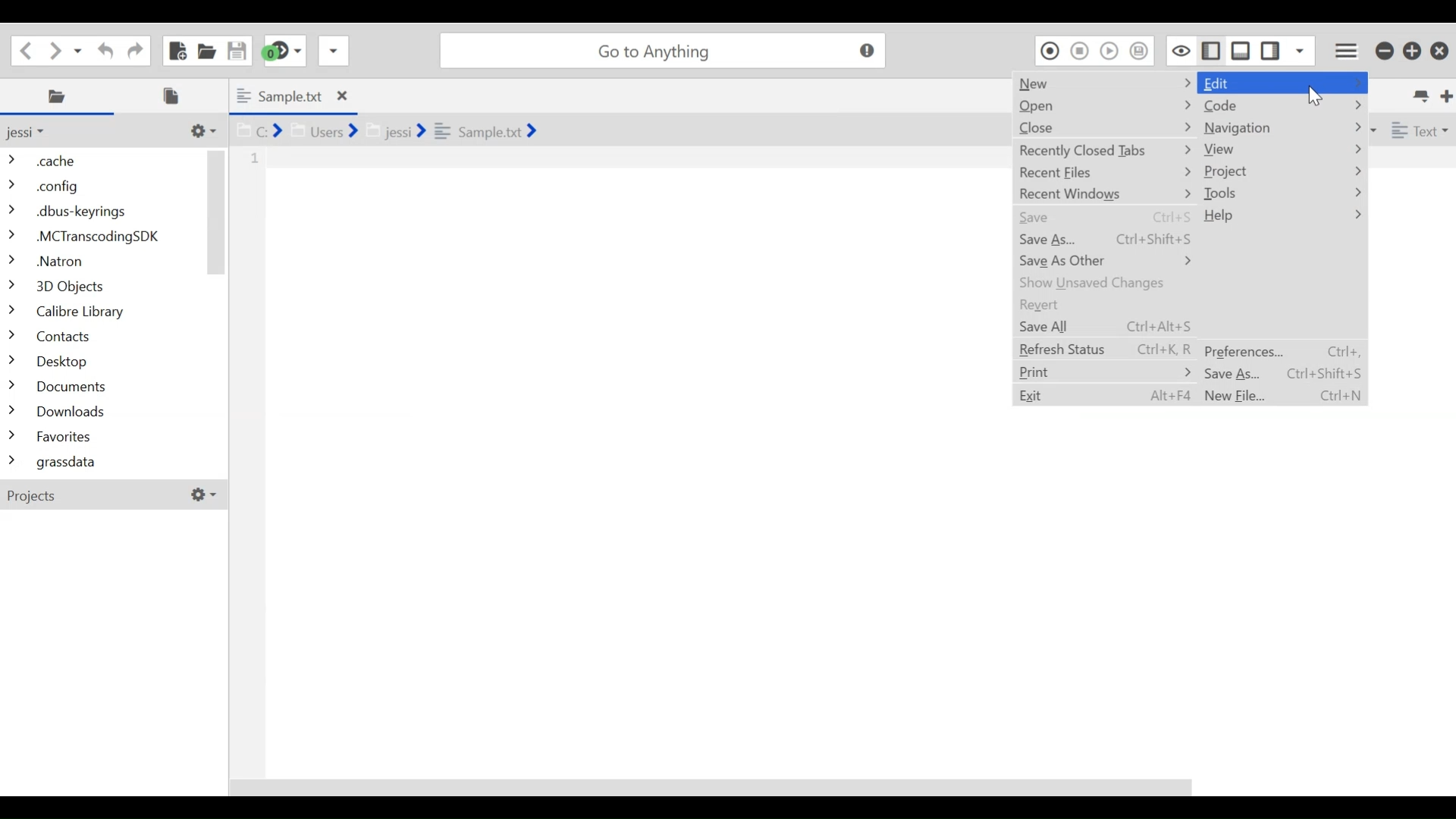 This screenshot has height=819, width=1456. What do you see at coordinates (1103, 151) in the screenshot?
I see `Recently Closed File` at bounding box center [1103, 151].